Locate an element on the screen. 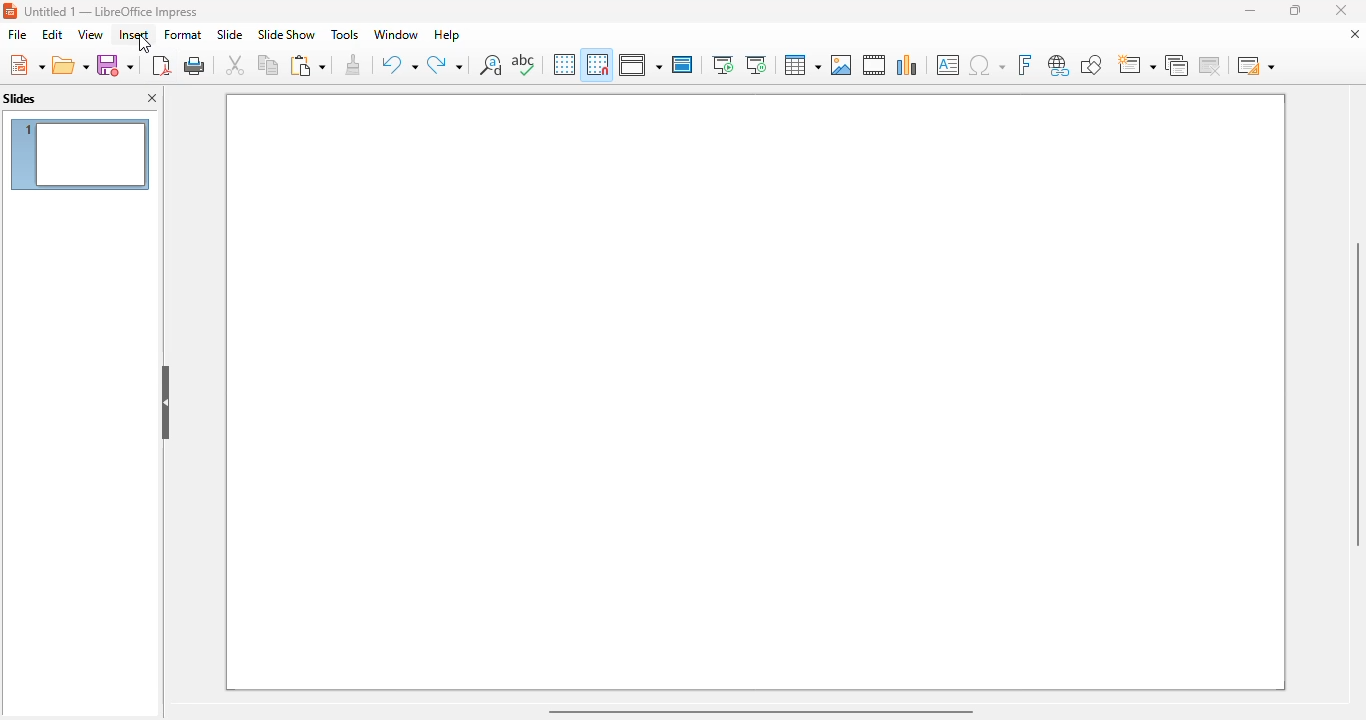 The height and width of the screenshot is (720, 1366). close pane is located at coordinates (154, 99).